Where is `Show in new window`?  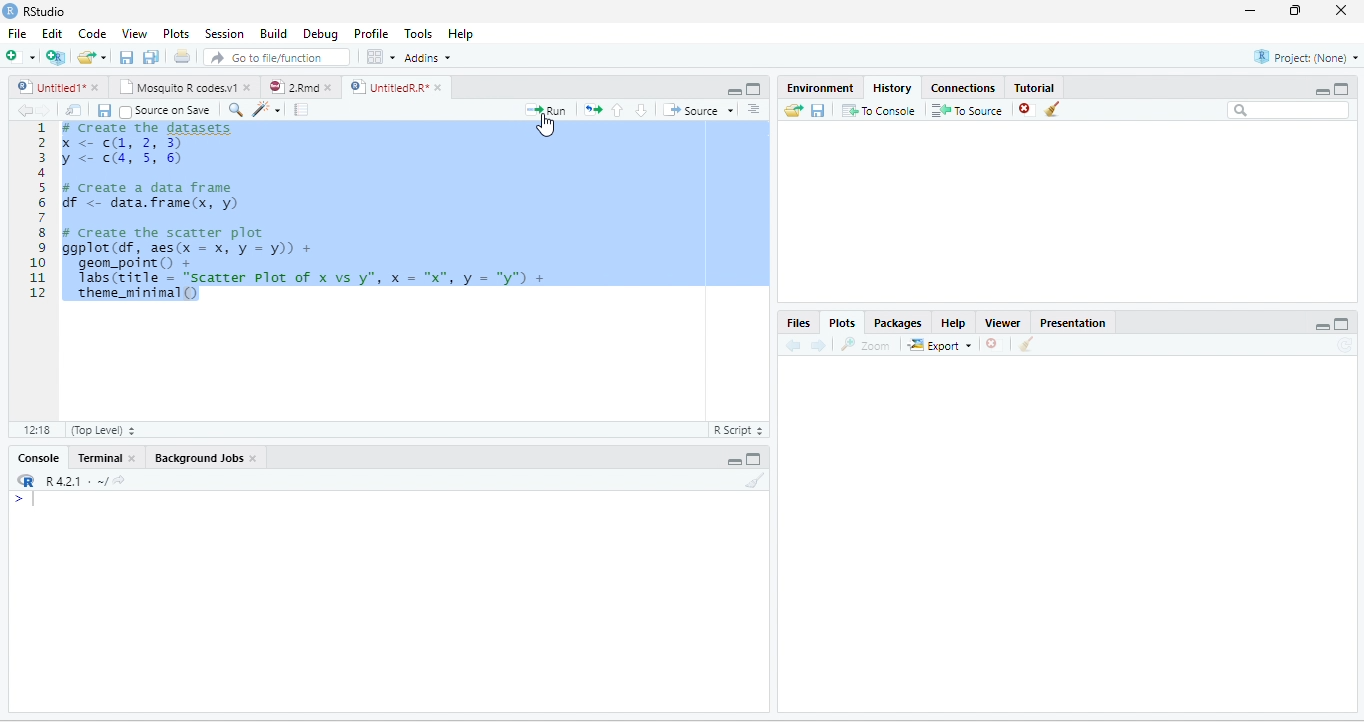
Show in new window is located at coordinates (75, 111).